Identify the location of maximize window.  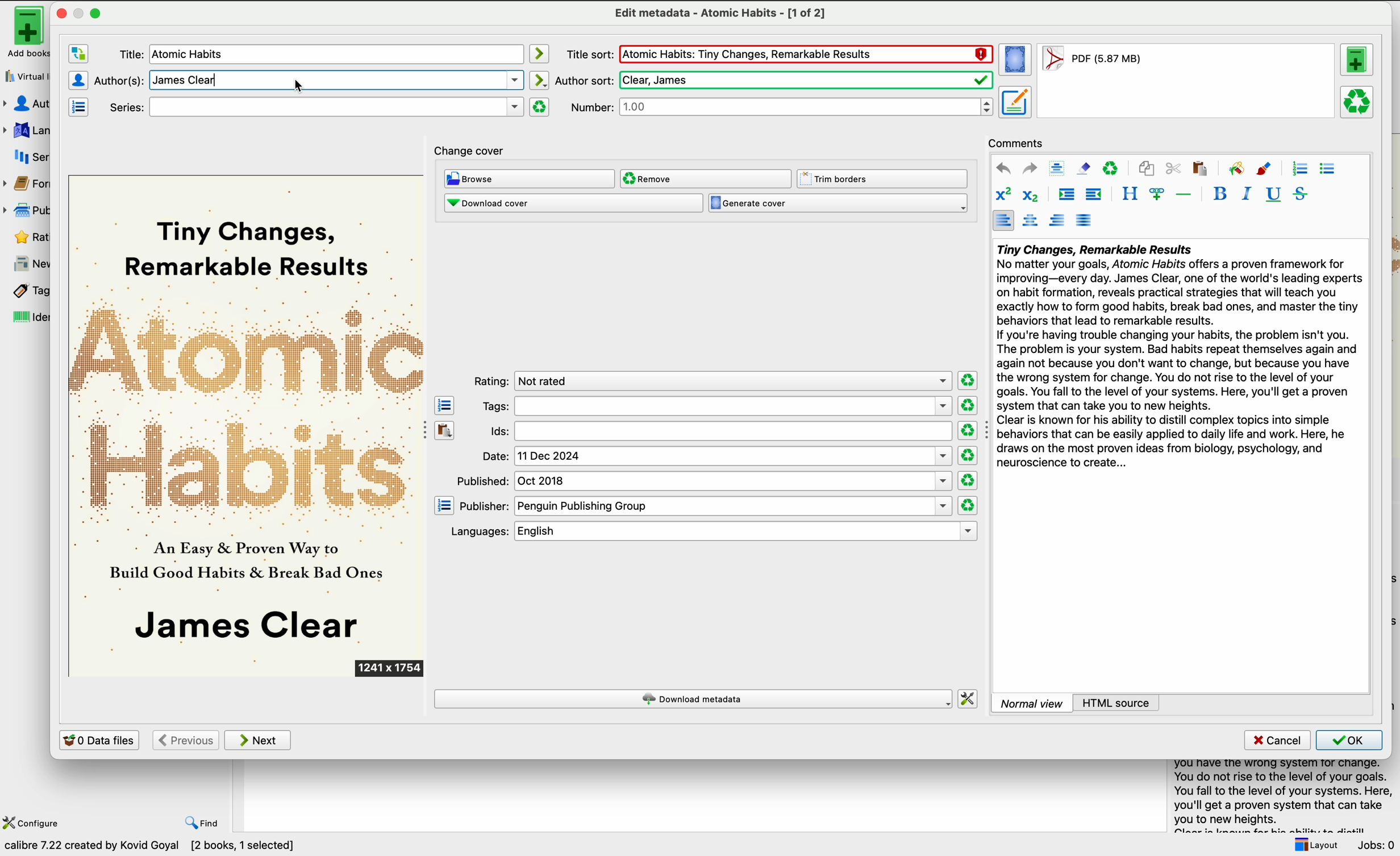
(88, 13).